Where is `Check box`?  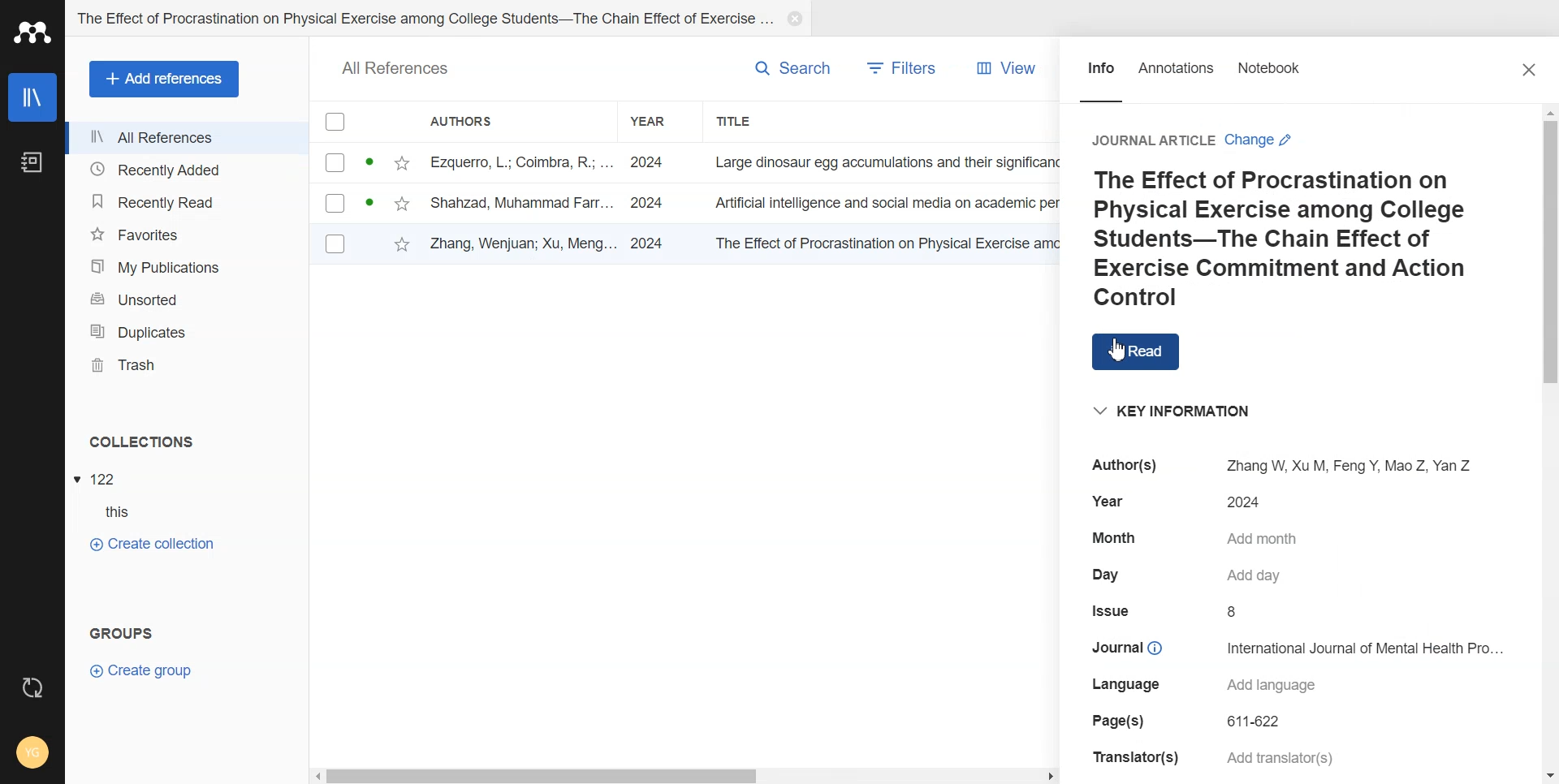 Check box is located at coordinates (333, 163).